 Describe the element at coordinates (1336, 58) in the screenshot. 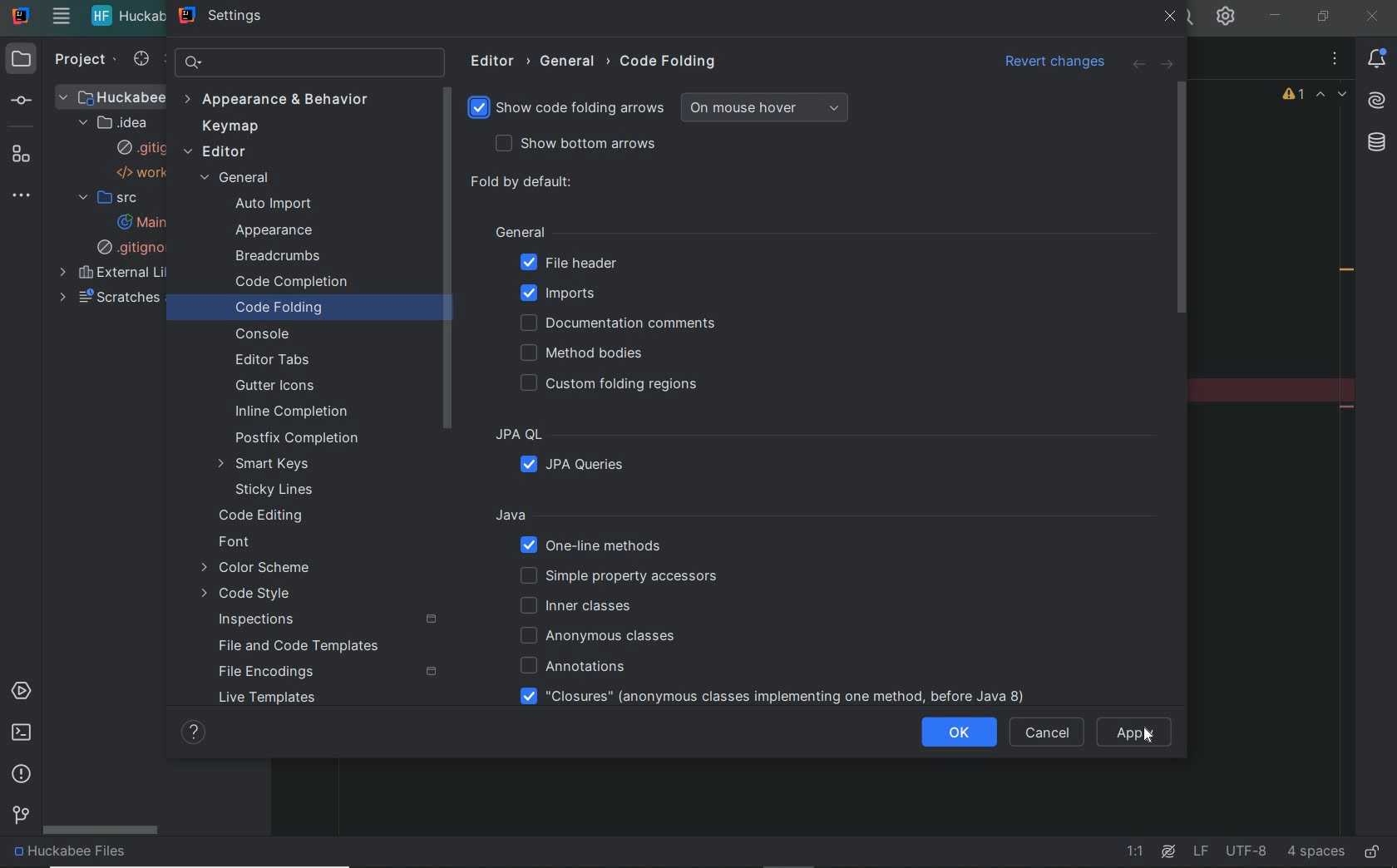

I see `recent files, tab options` at that location.